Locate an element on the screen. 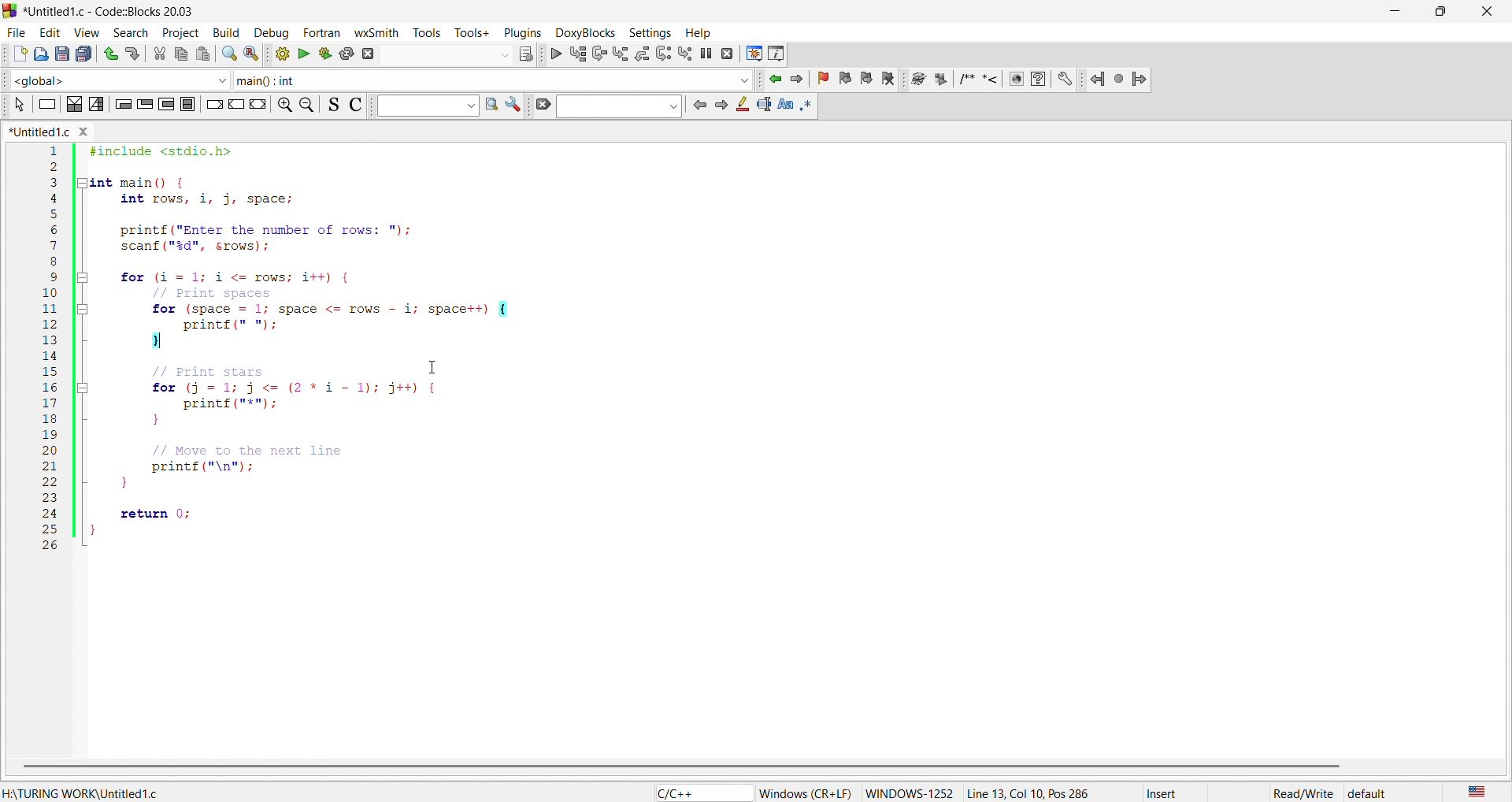 The height and width of the screenshot is (802, 1512). next line is located at coordinates (598, 54).